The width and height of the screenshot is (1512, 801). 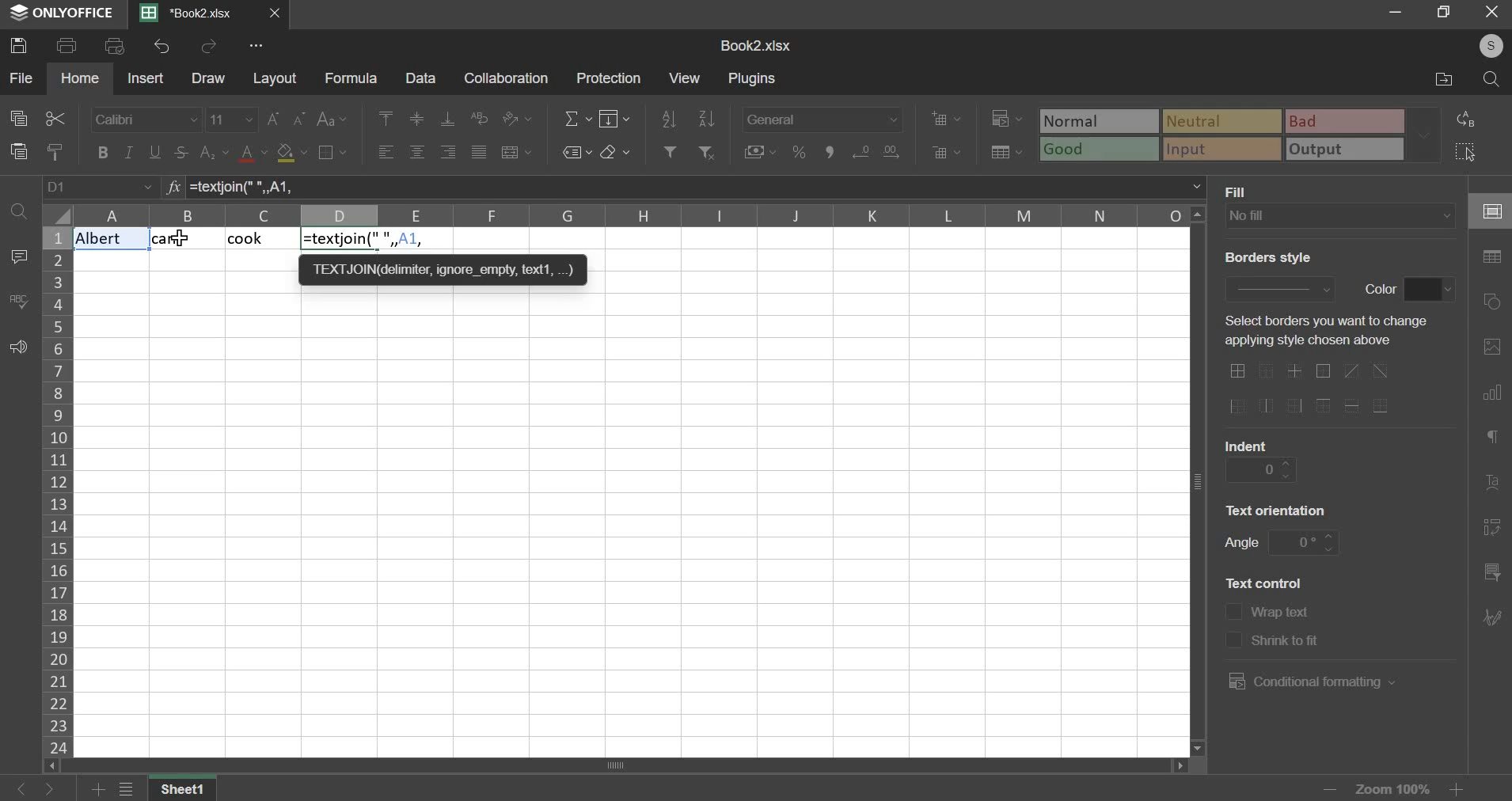 I want to click on layout, so click(x=275, y=79).